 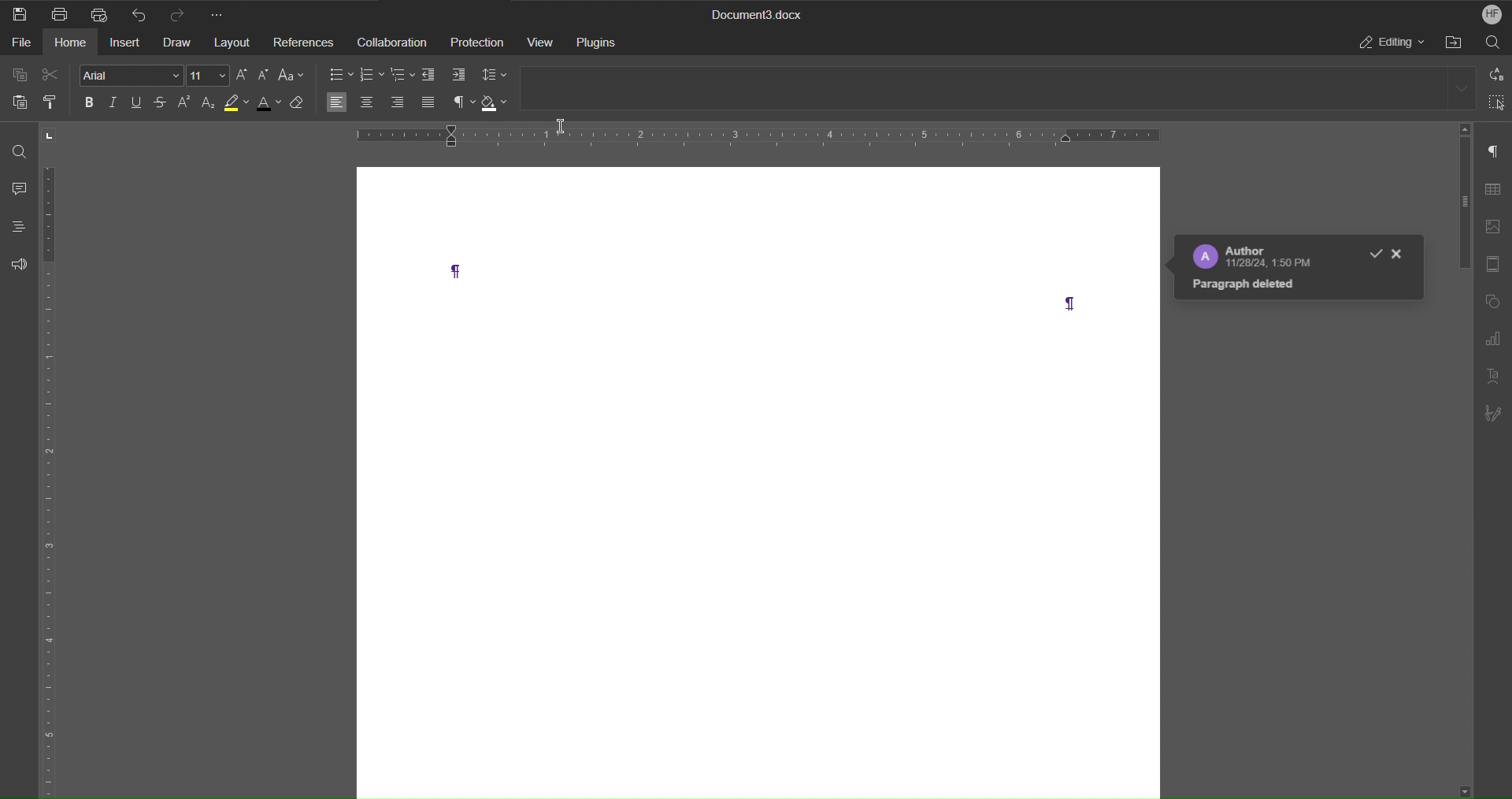 I want to click on Shading, so click(x=495, y=102).